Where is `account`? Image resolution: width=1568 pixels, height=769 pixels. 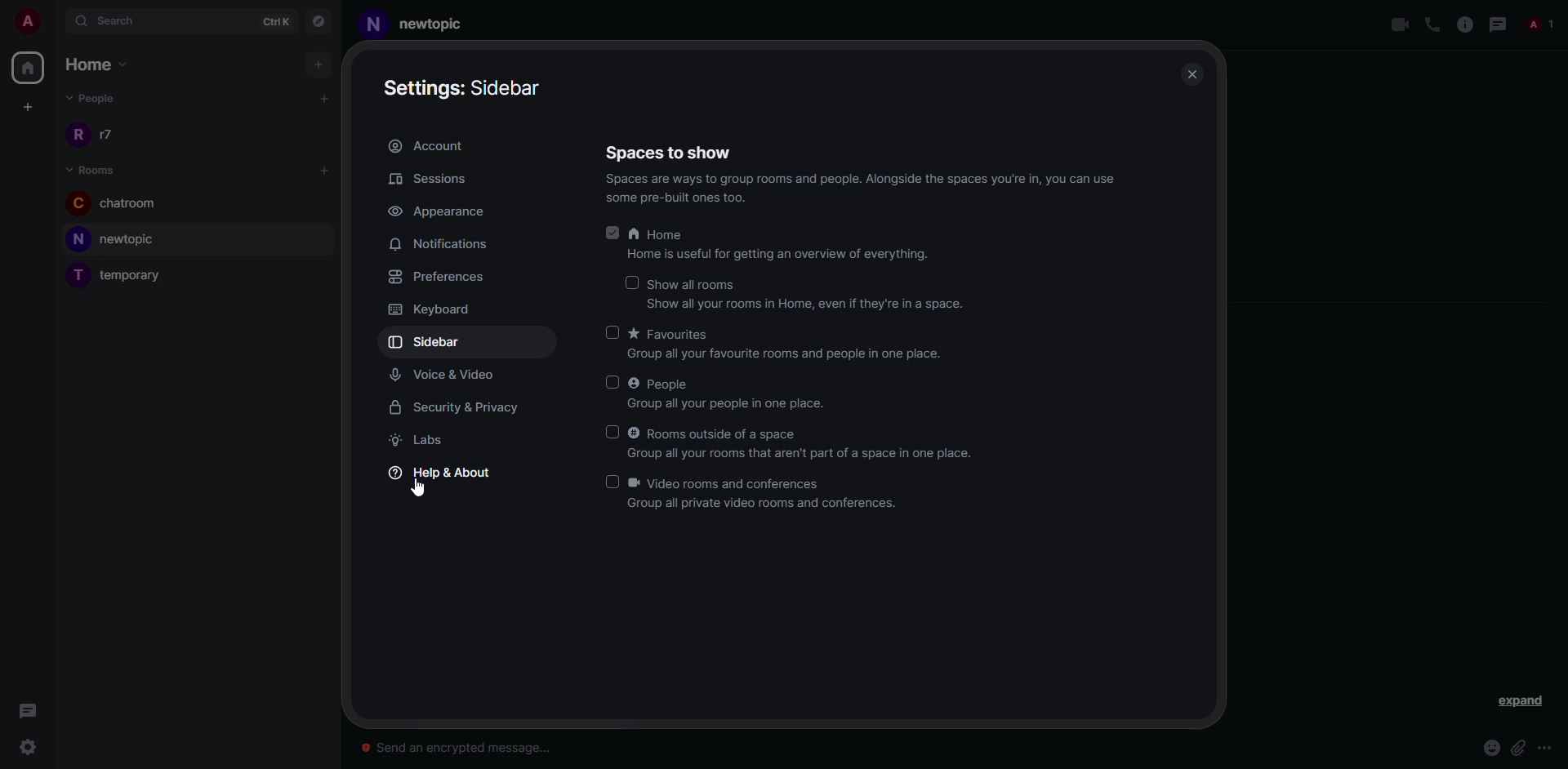 account is located at coordinates (431, 147).